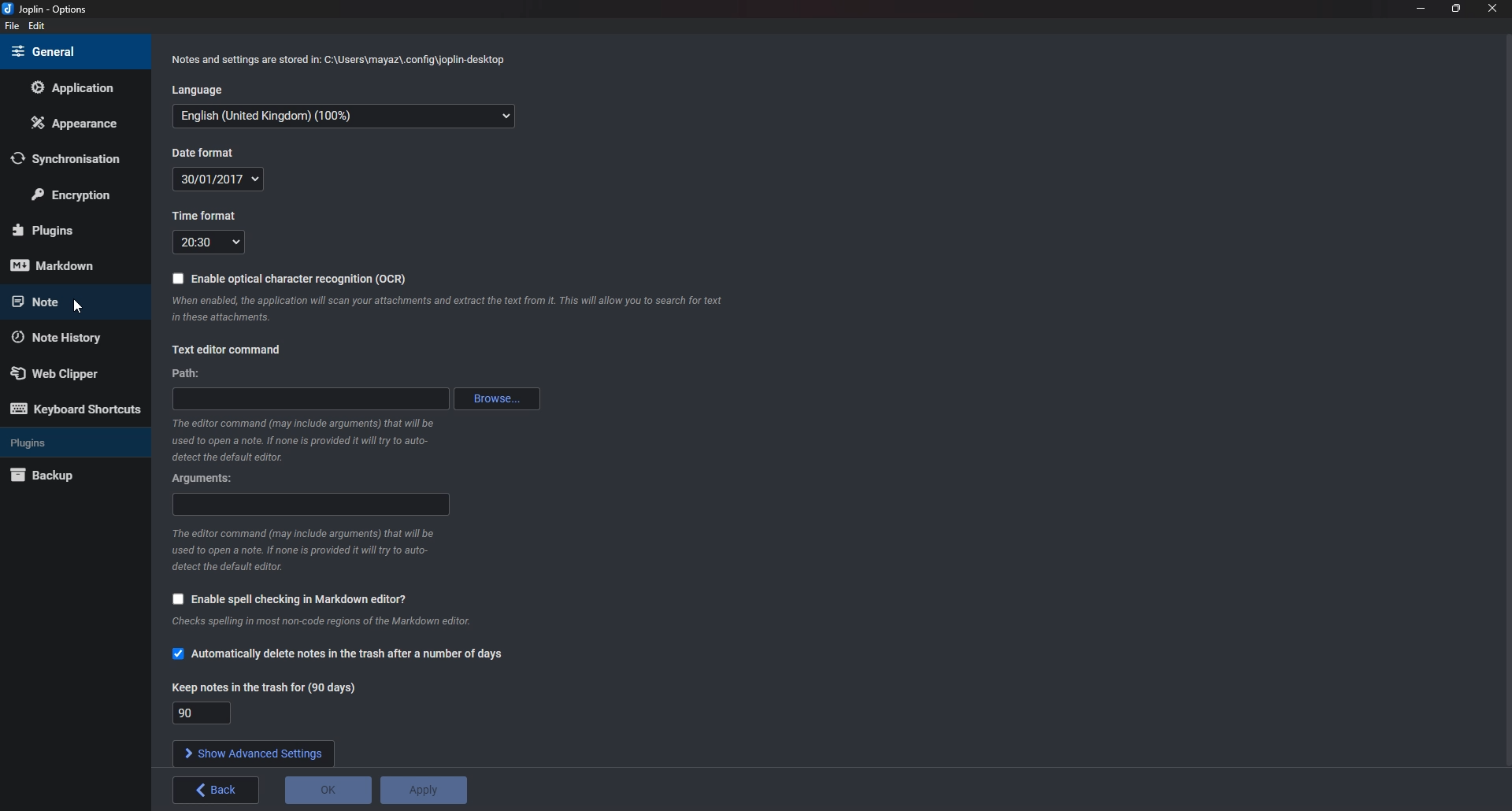 The image size is (1512, 811). I want to click on Keep notes in the trash for, so click(266, 687).